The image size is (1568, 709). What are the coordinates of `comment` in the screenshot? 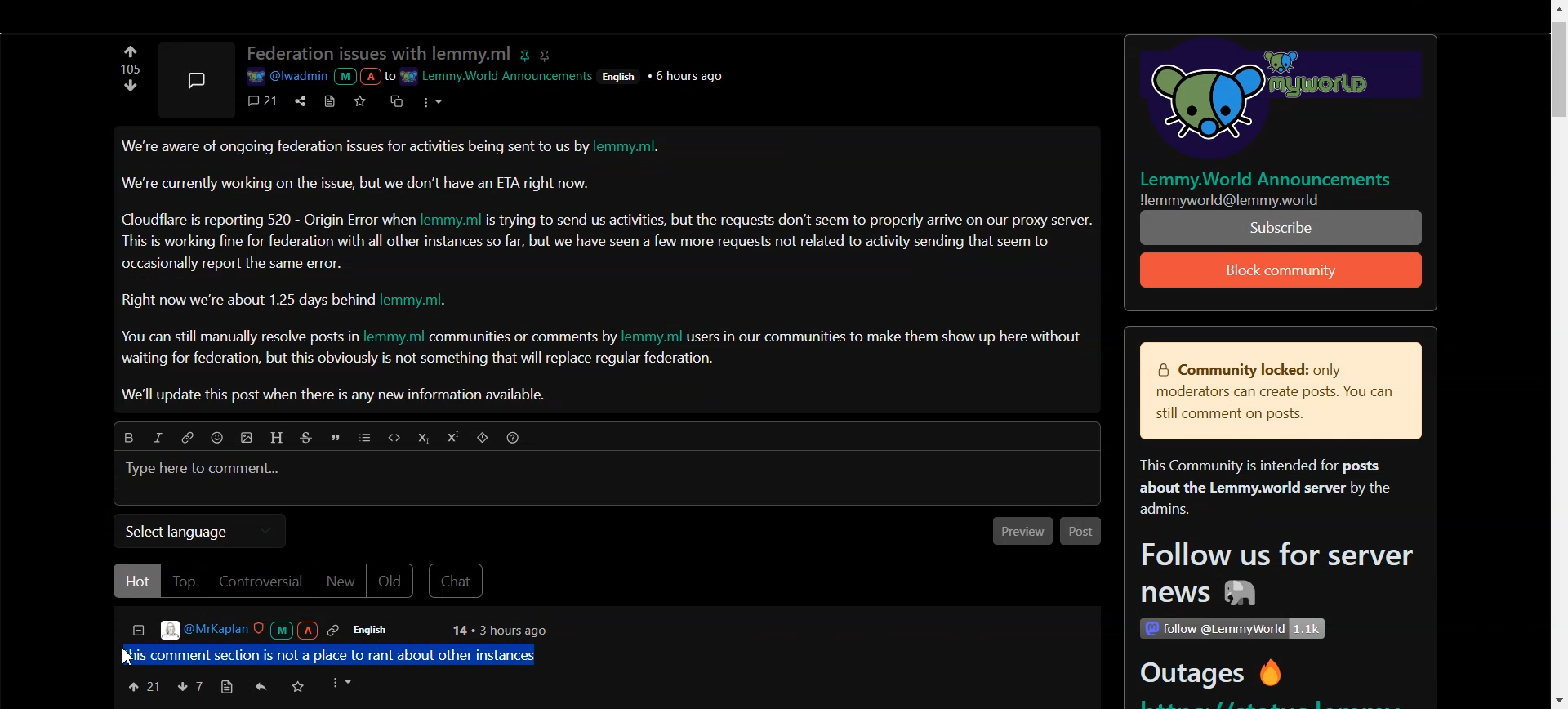 It's located at (264, 100).